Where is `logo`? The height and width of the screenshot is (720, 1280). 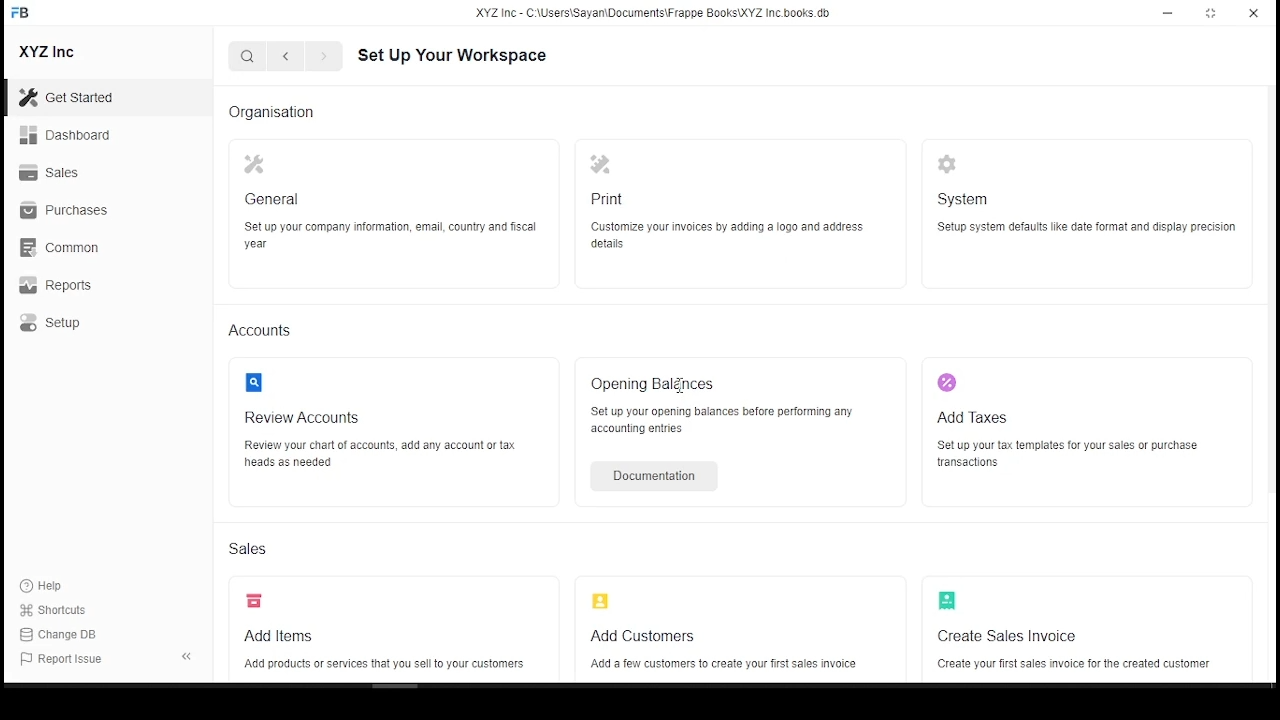
logo is located at coordinates (951, 601).